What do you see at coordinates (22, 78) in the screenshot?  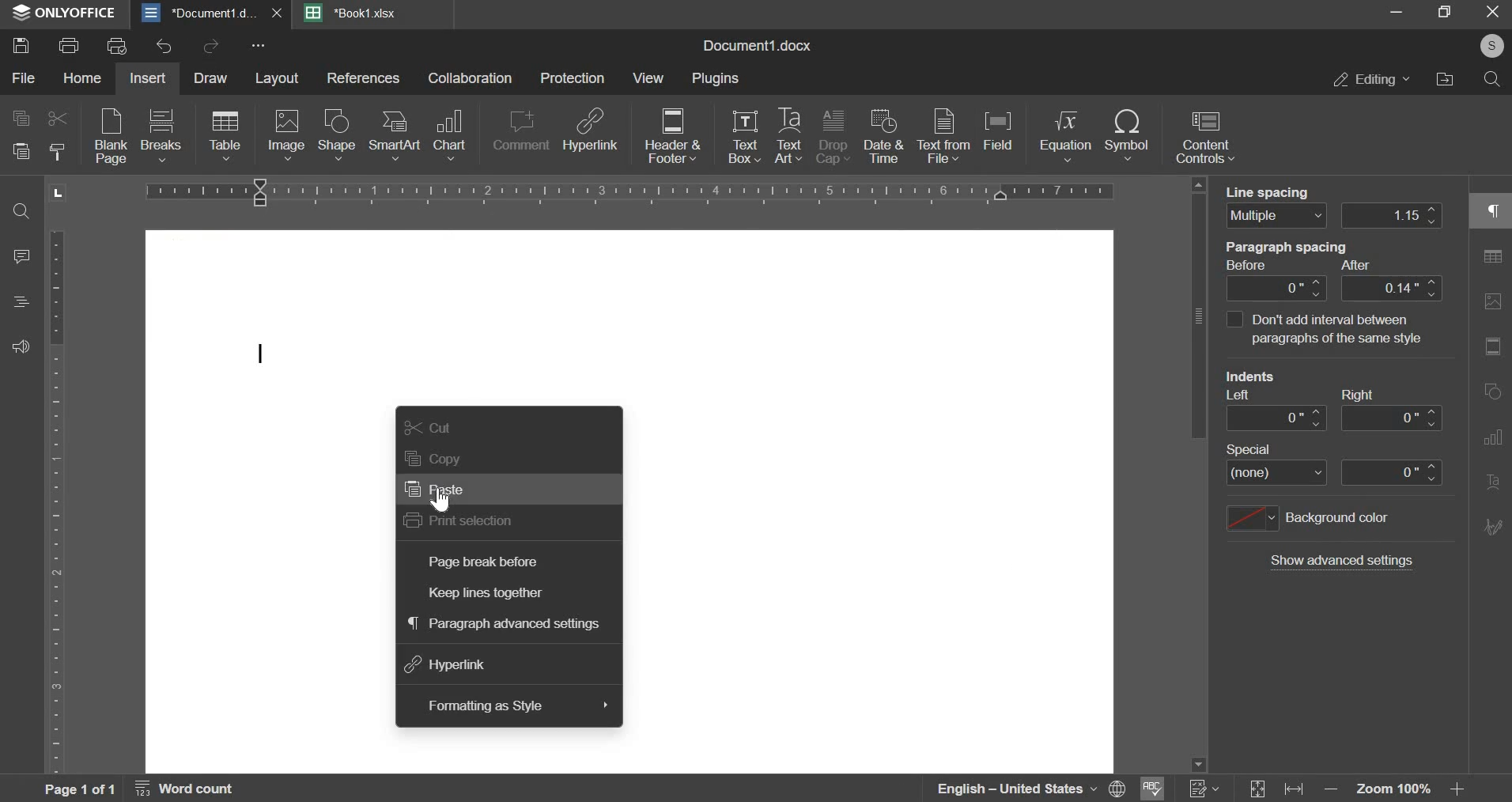 I see `file` at bounding box center [22, 78].